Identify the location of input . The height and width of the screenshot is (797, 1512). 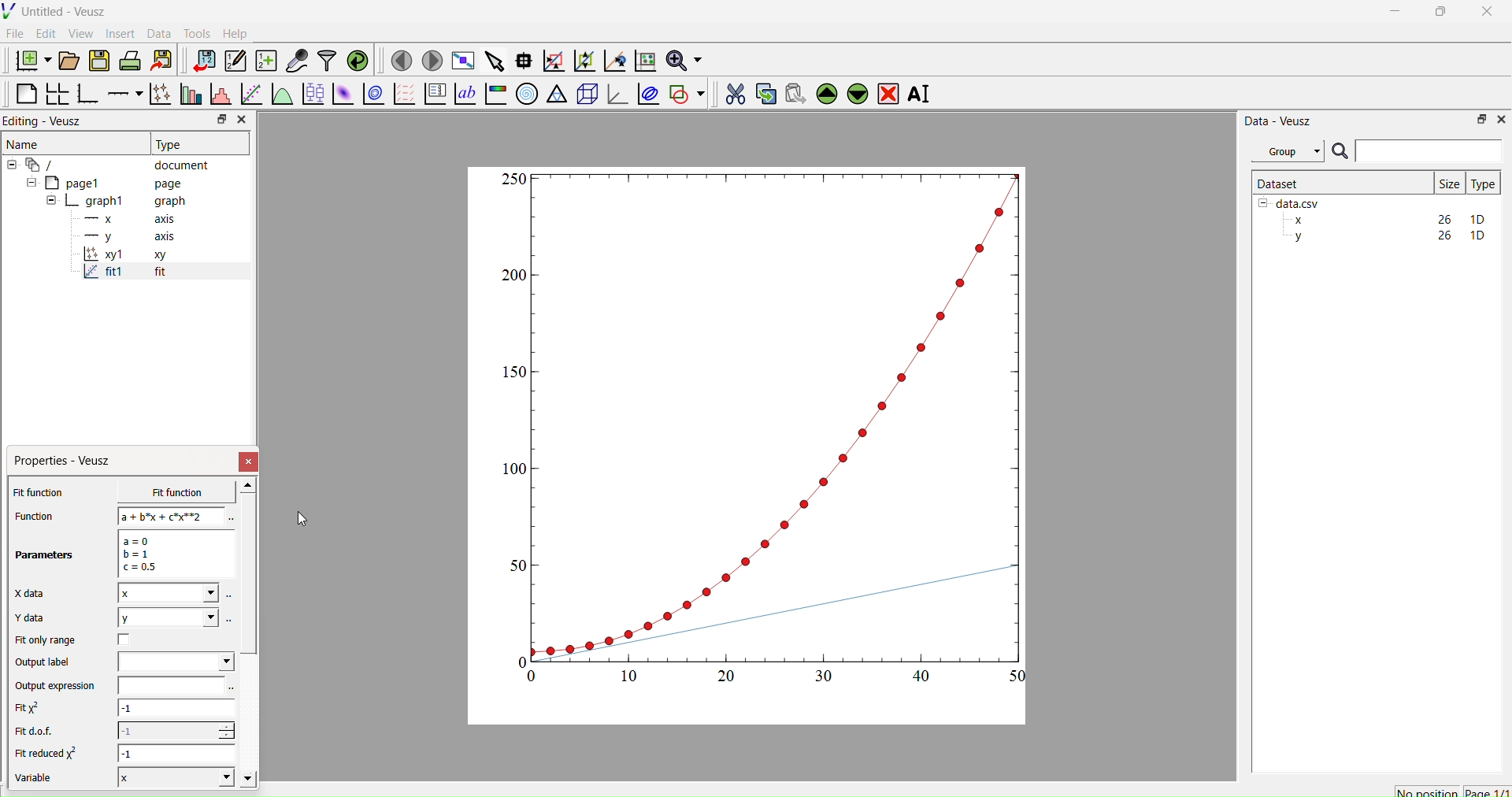
(169, 685).